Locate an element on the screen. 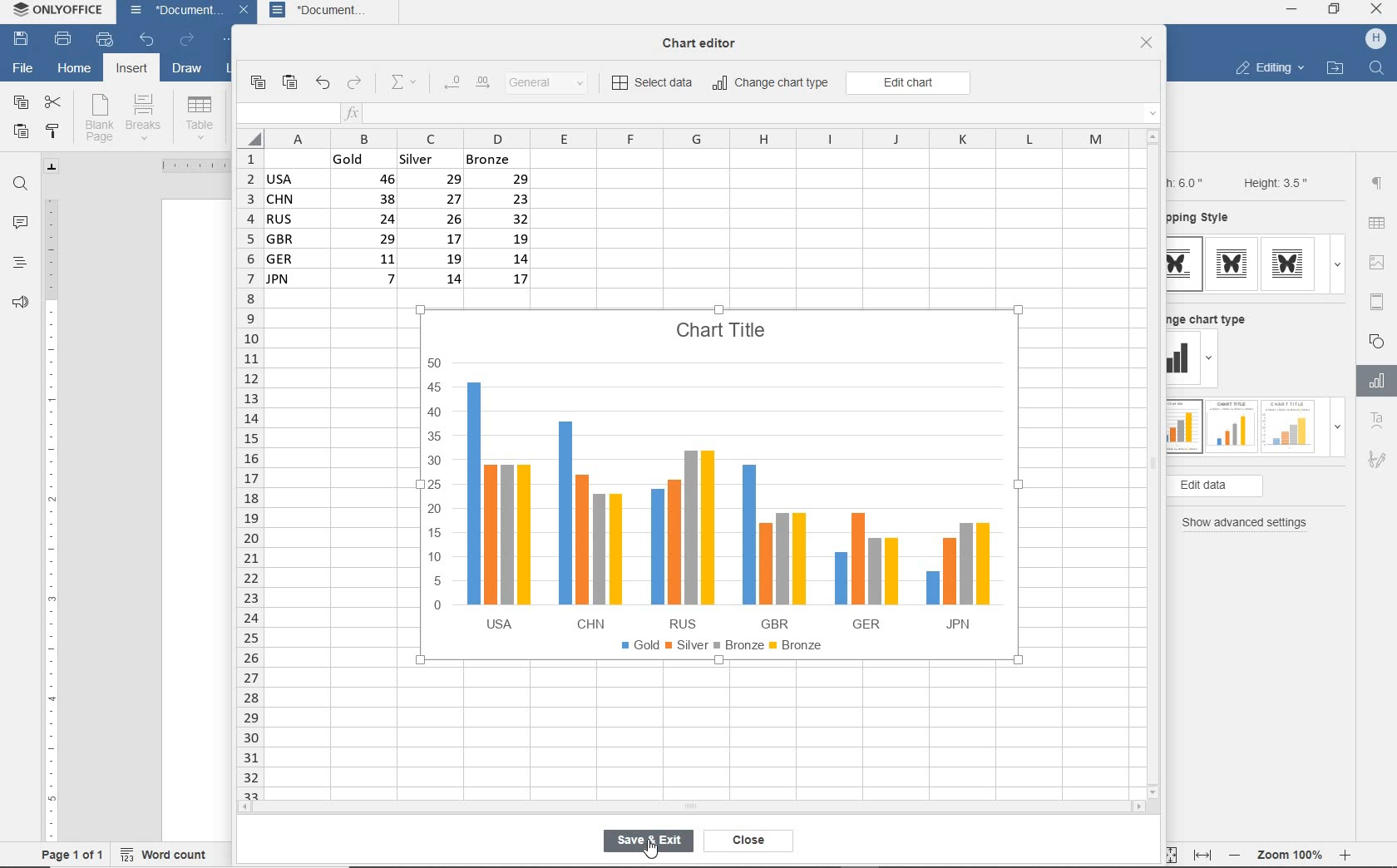 Image resolution: width=1397 pixels, height=868 pixels. ruler is located at coordinates (187, 165).